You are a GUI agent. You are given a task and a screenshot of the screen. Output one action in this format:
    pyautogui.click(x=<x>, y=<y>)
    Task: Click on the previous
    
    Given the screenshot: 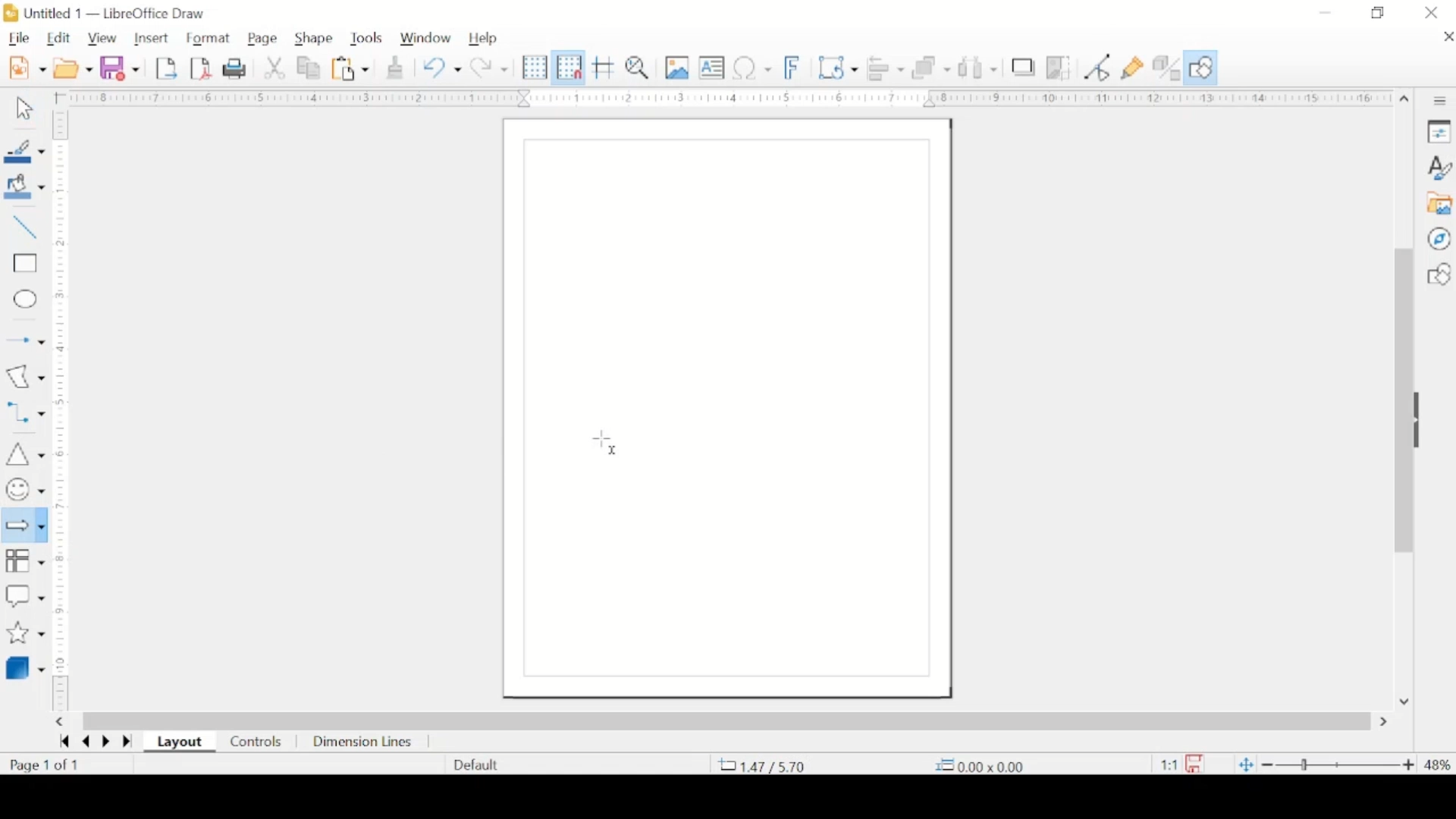 What is the action you would take?
    pyautogui.click(x=83, y=742)
    